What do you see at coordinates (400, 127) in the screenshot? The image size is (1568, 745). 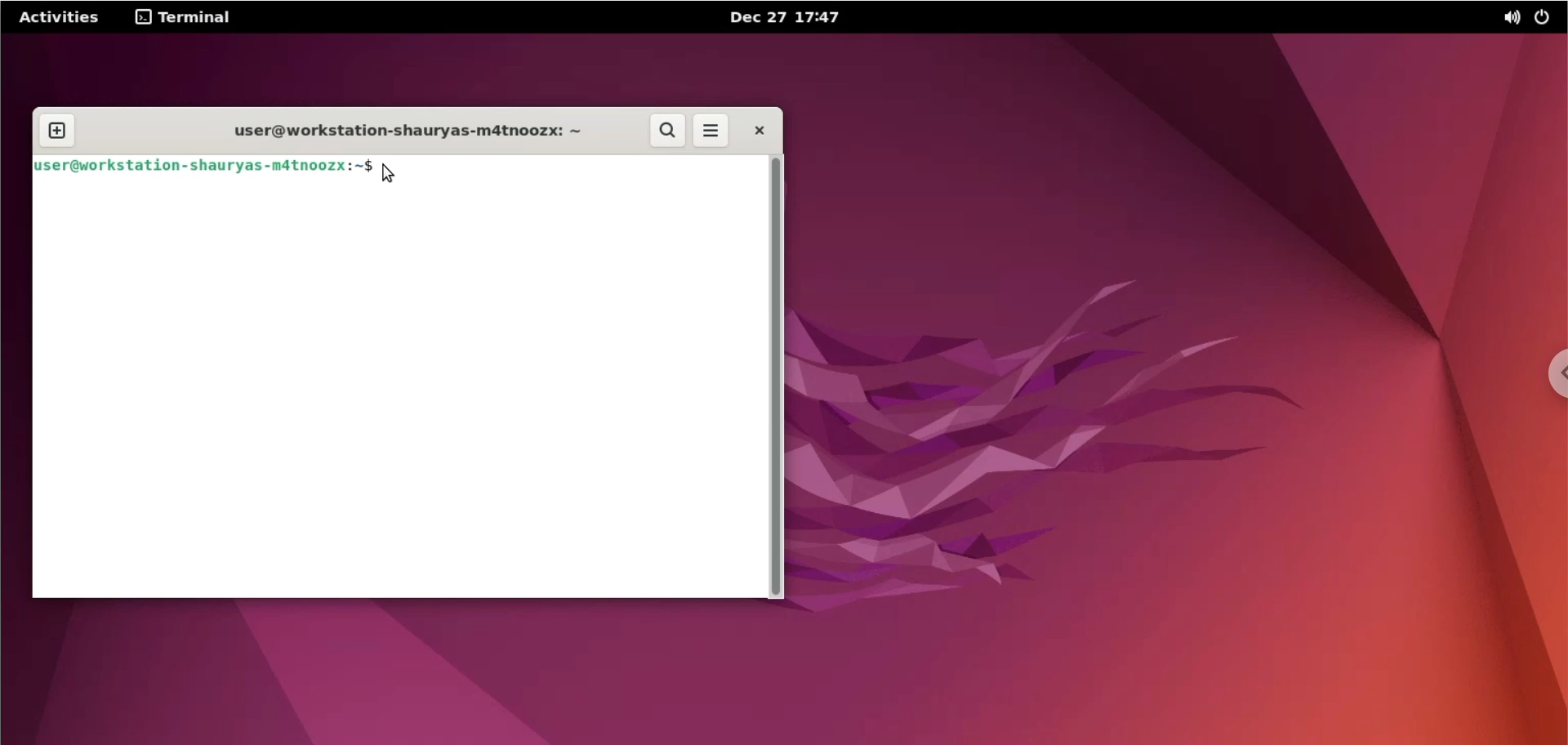 I see `user@workstation-shauryas-m4tnoozx:~` at bounding box center [400, 127].